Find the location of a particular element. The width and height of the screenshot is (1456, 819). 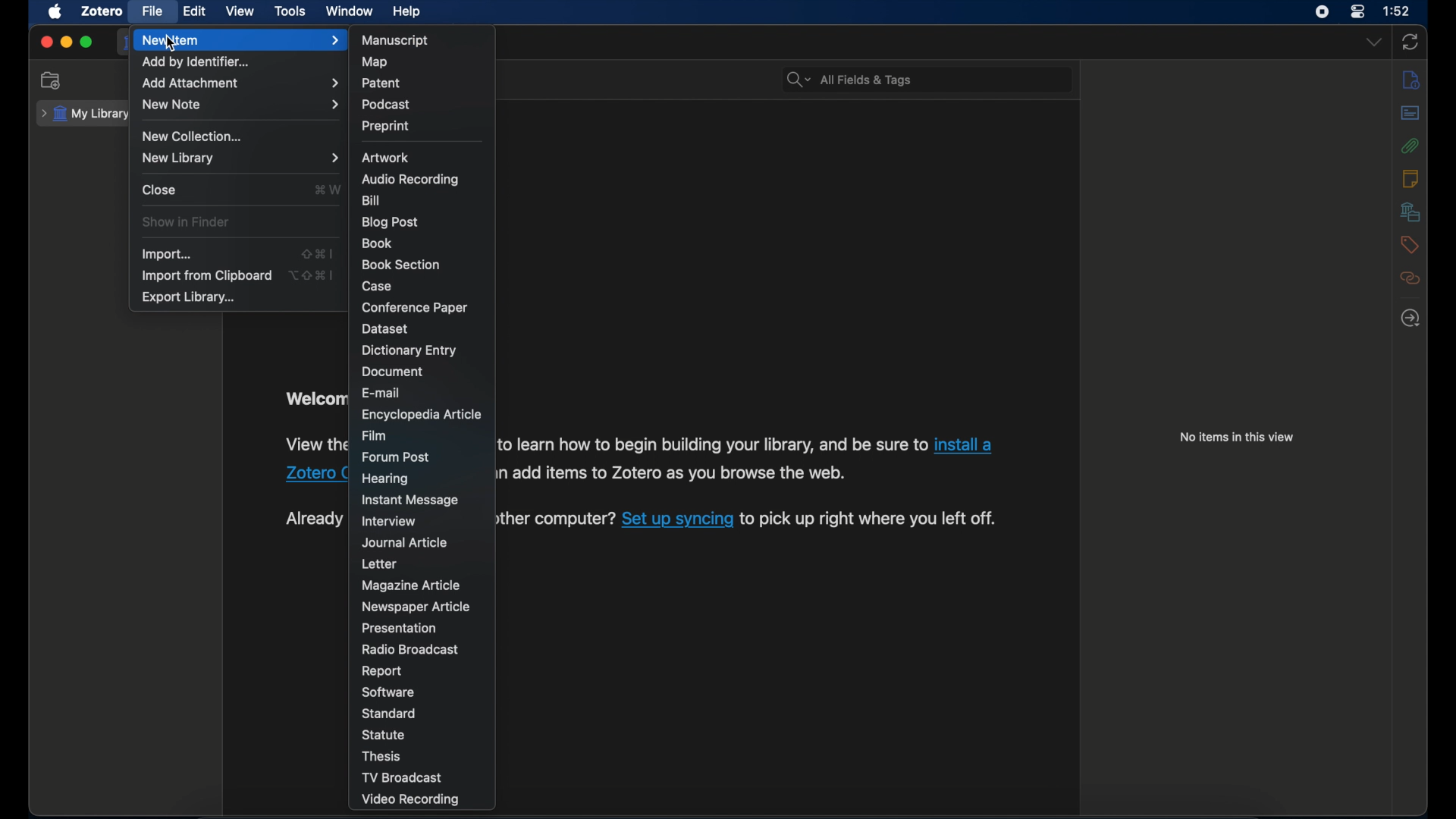

newspaper article is located at coordinates (415, 607).